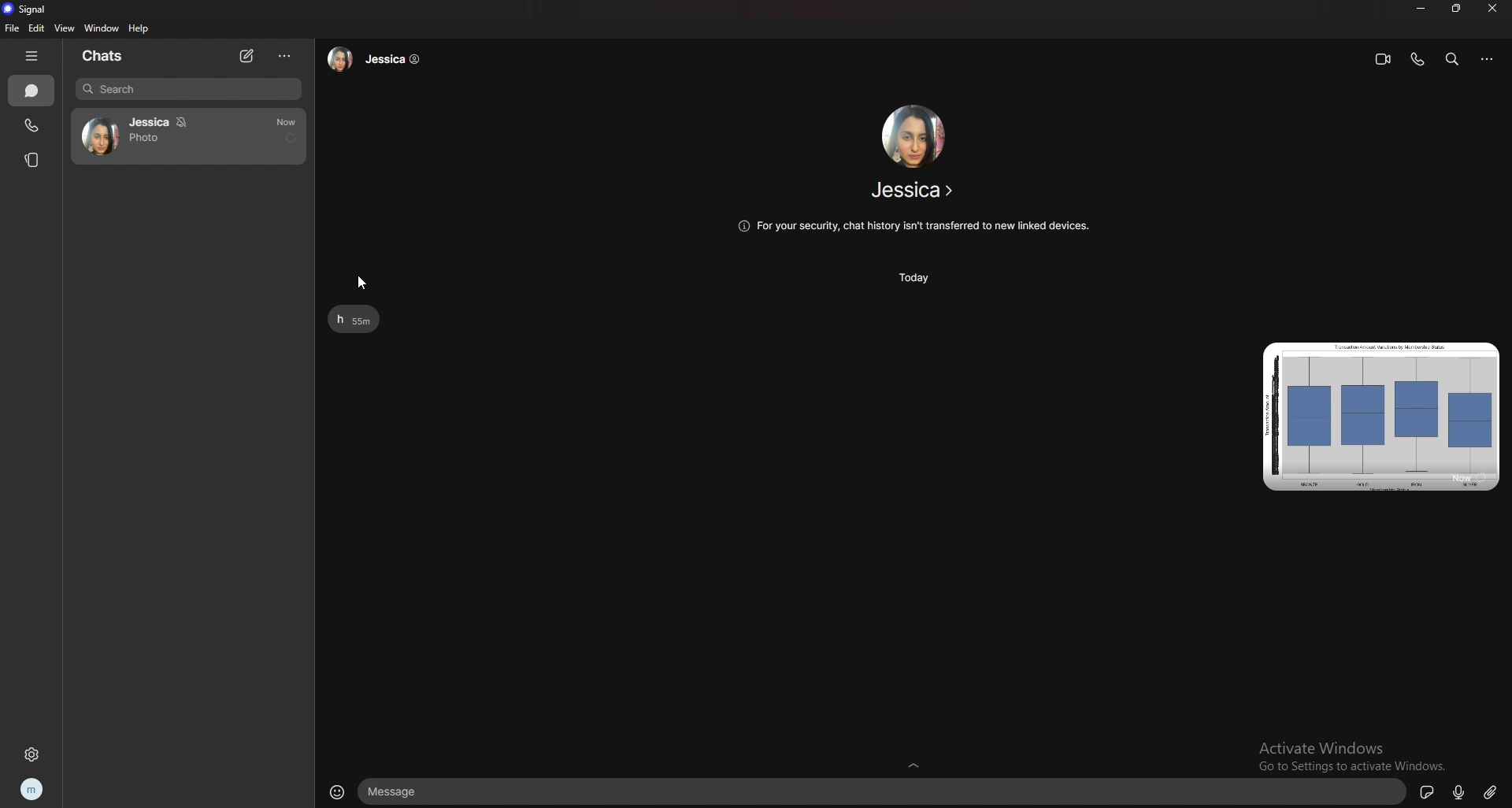  Describe the element at coordinates (913, 226) in the screenshot. I see `info` at that location.